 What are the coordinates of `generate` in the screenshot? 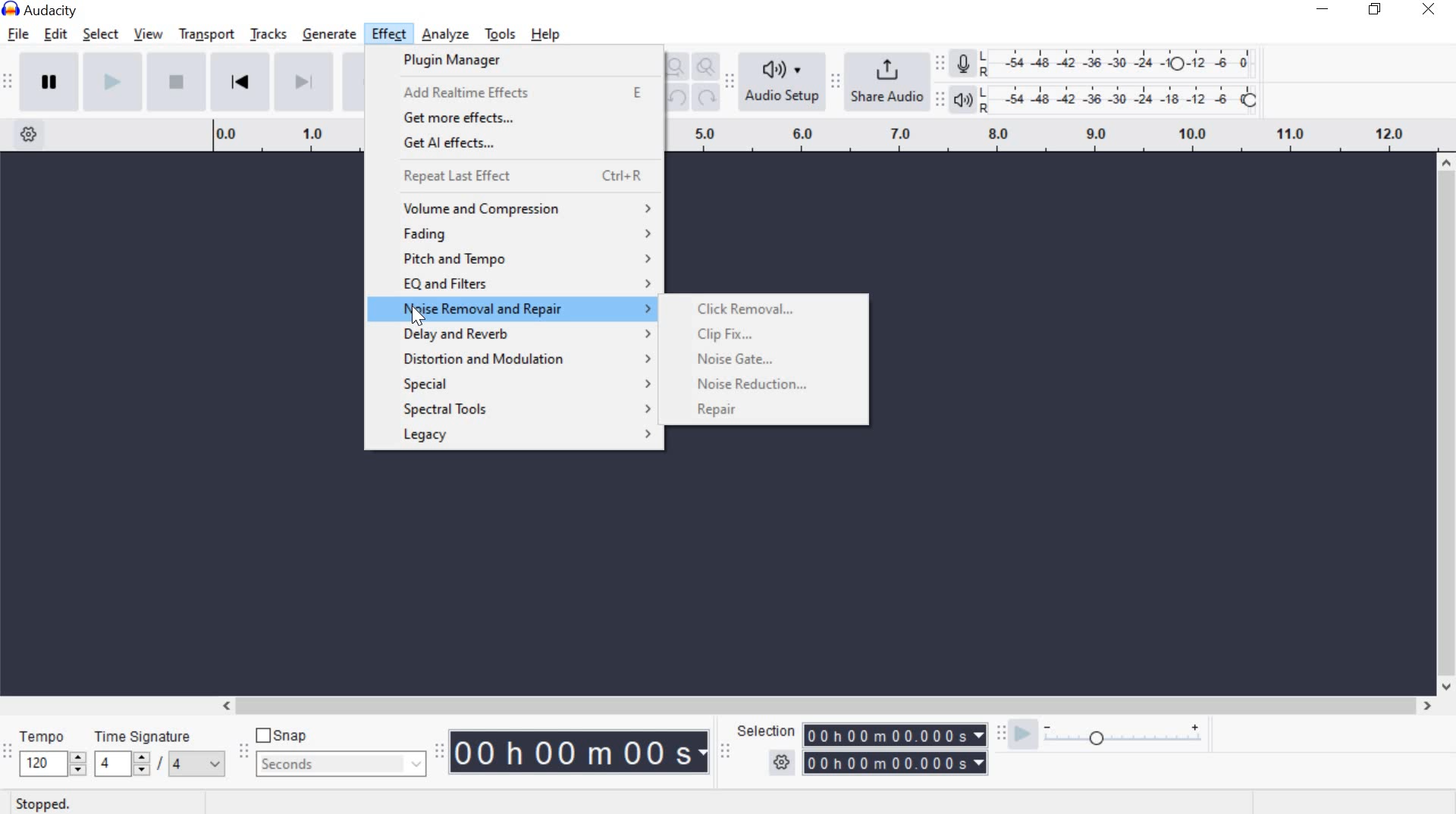 It's located at (326, 36).